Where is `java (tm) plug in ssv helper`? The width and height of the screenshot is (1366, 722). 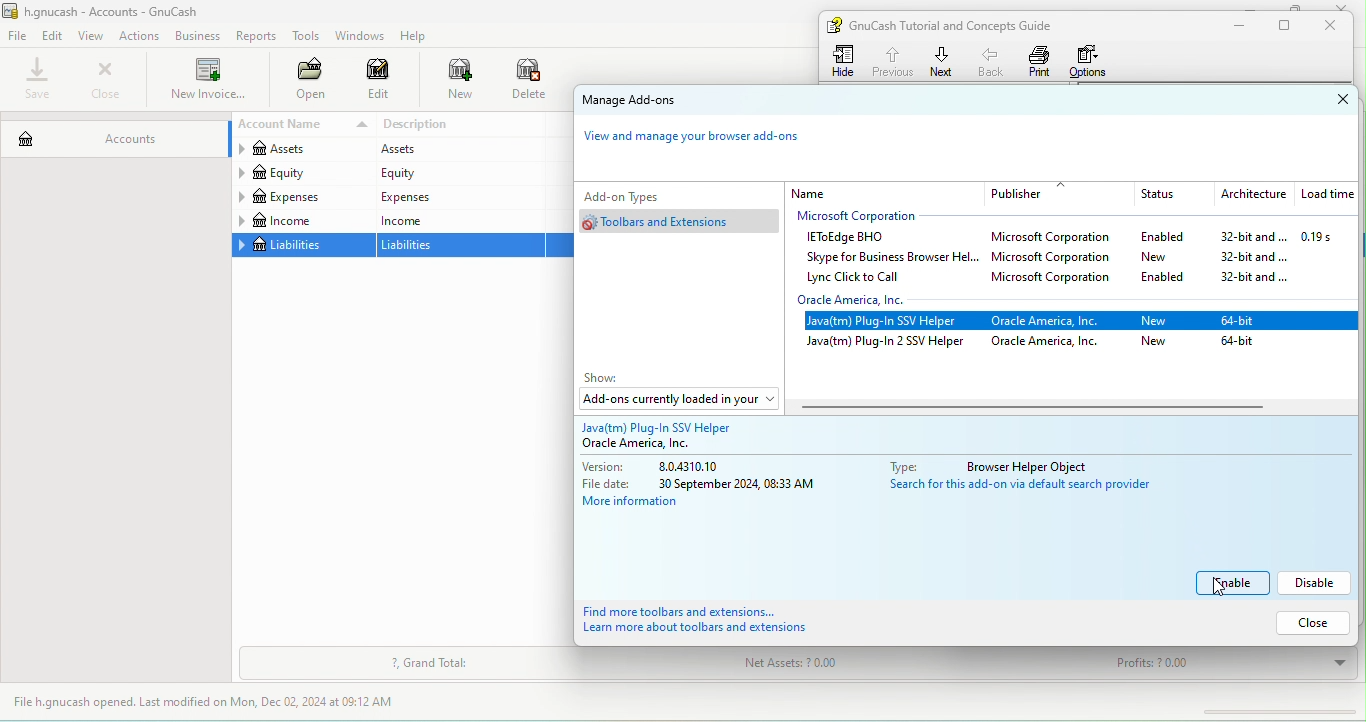
java (tm) plug in ssv helper is located at coordinates (675, 424).